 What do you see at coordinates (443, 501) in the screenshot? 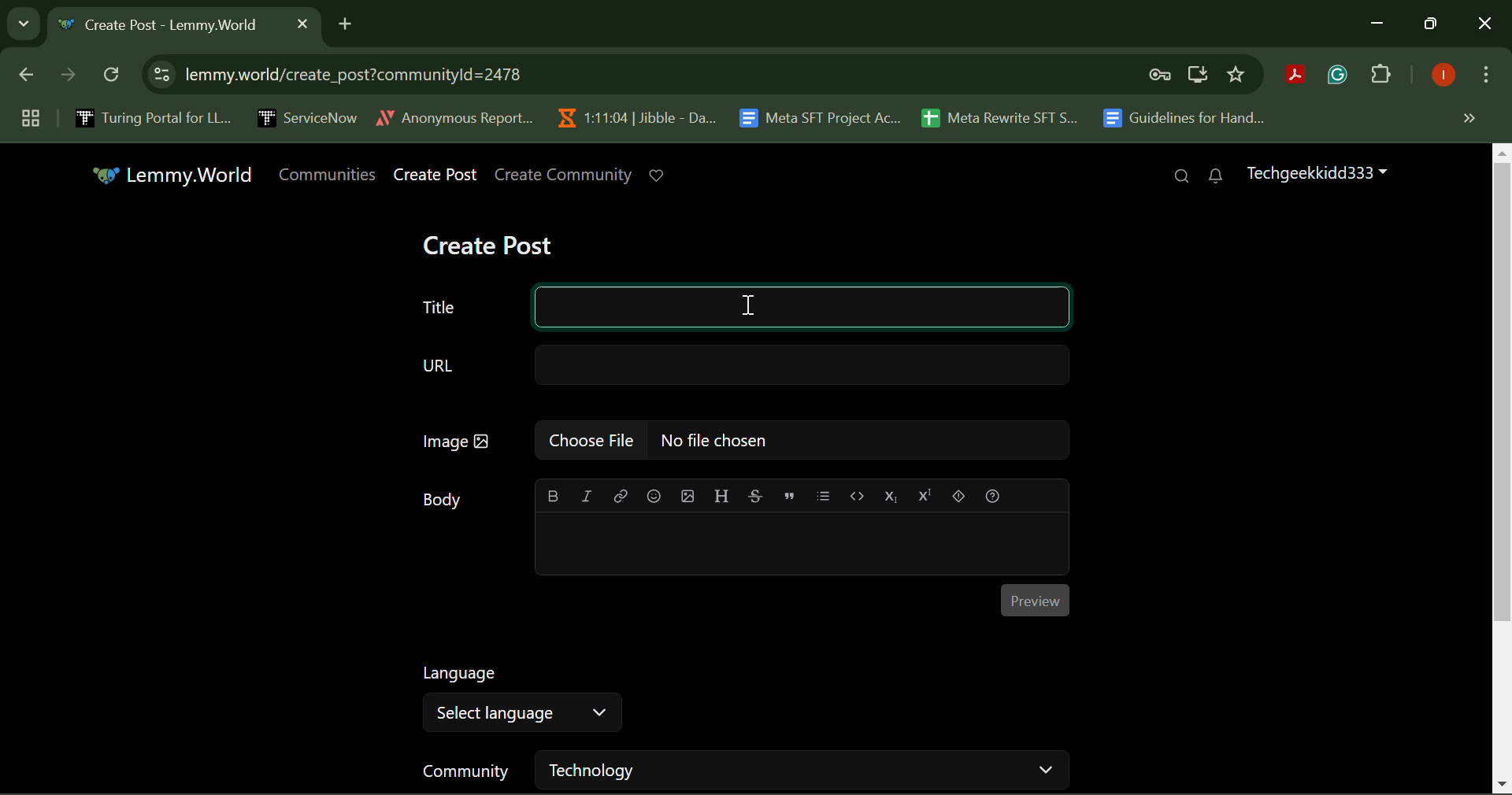
I see `Body` at bounding box center [443, 501].